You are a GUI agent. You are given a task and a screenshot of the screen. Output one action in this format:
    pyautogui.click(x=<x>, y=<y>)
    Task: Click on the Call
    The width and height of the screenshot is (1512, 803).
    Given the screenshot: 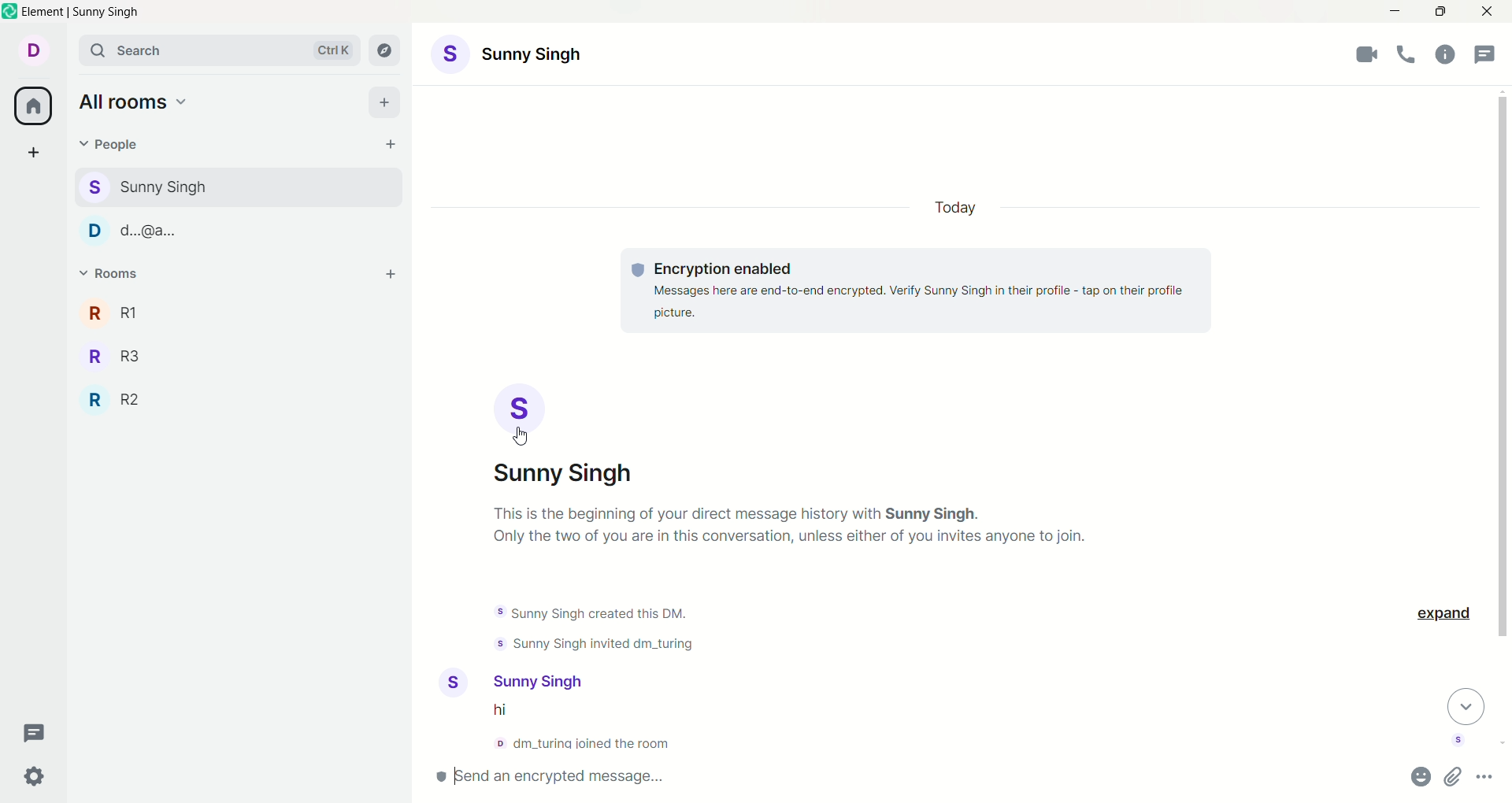 What is the action you would take?
    pyautogui.click(x=1410, y=54)
    